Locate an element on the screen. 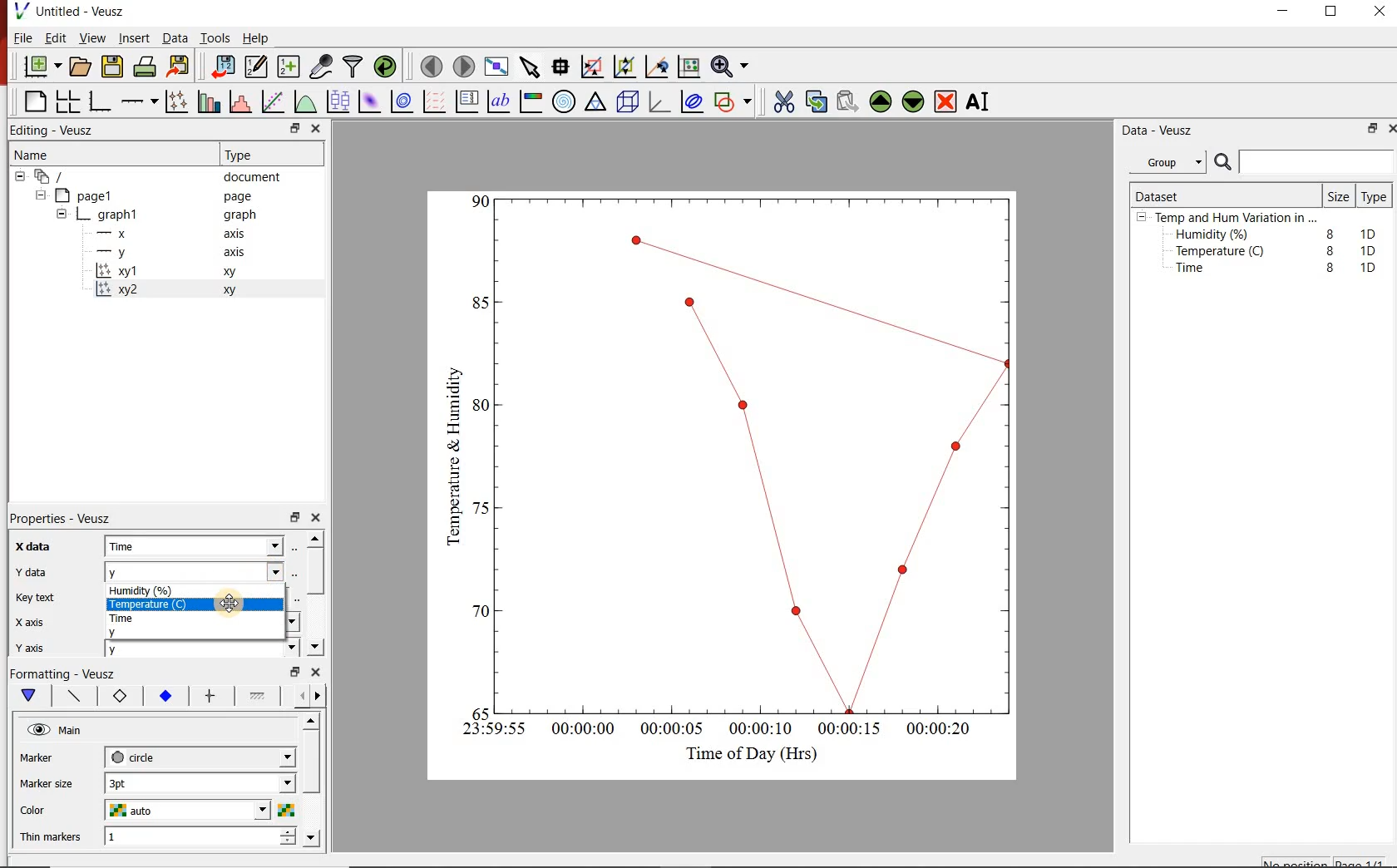 This screenshot has width=1397, height=868. Marker size dropdown is located at coordinates (249, 784).